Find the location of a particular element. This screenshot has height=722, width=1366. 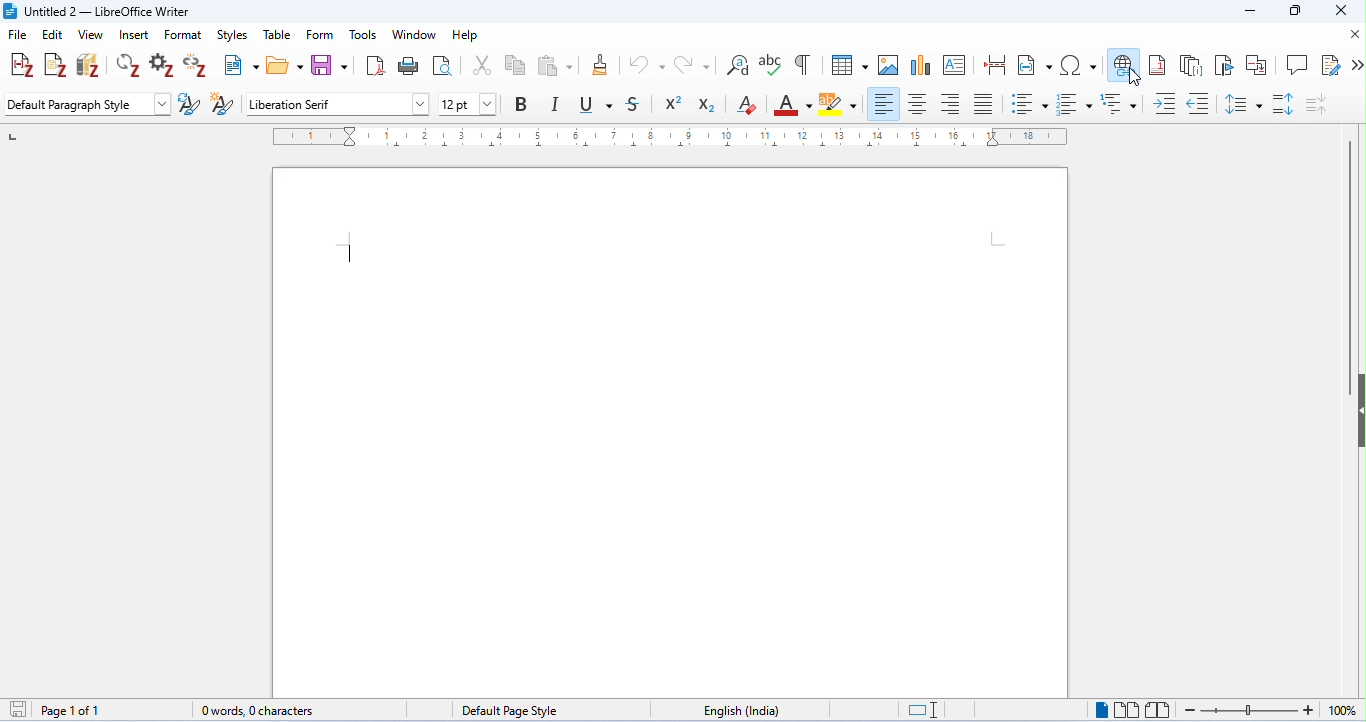

decrease paragraph spacing is located at coordinates (1316, 103).